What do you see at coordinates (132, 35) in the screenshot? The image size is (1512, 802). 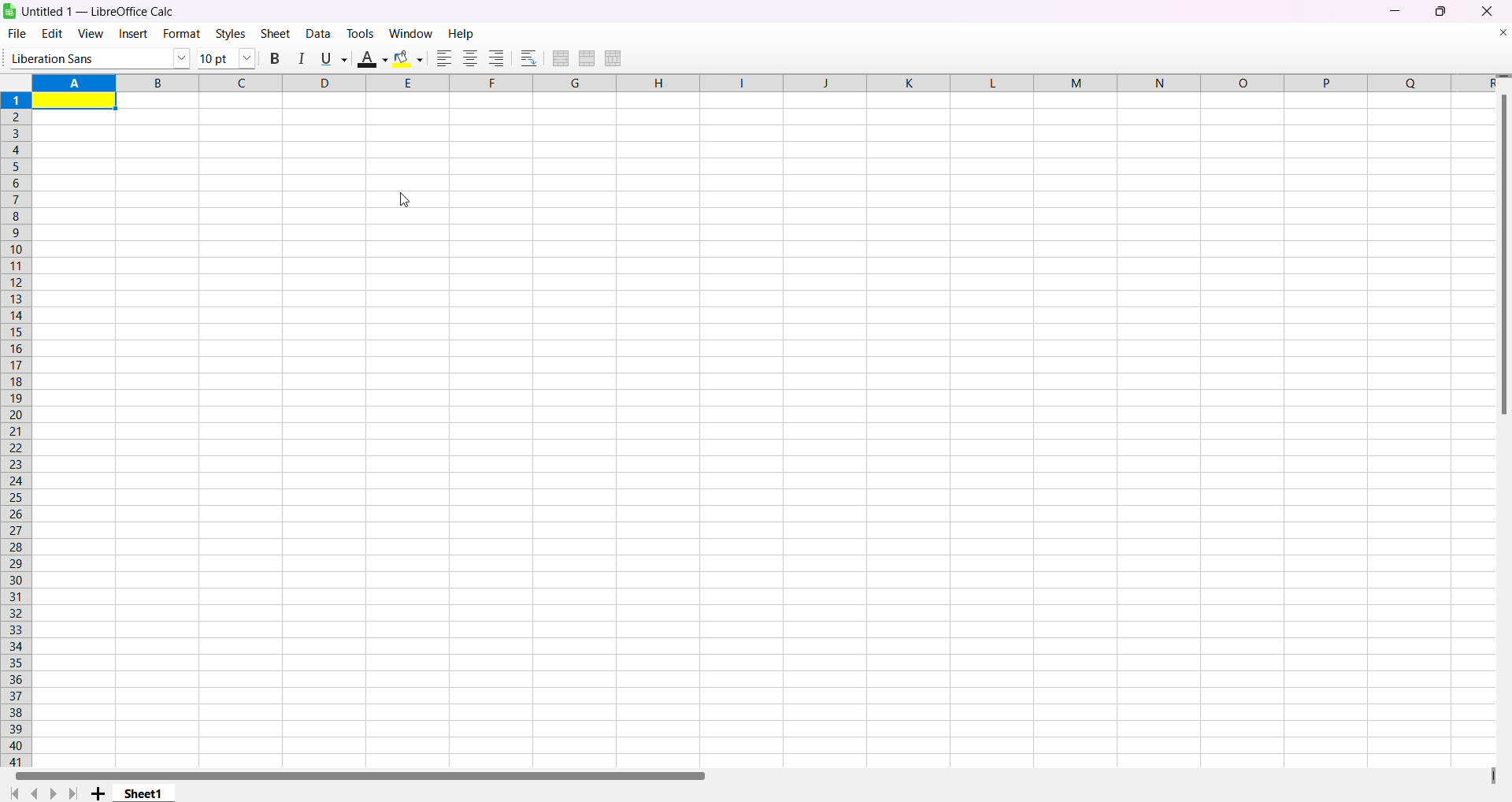 I see `insert` at bounding box center [132, 35].